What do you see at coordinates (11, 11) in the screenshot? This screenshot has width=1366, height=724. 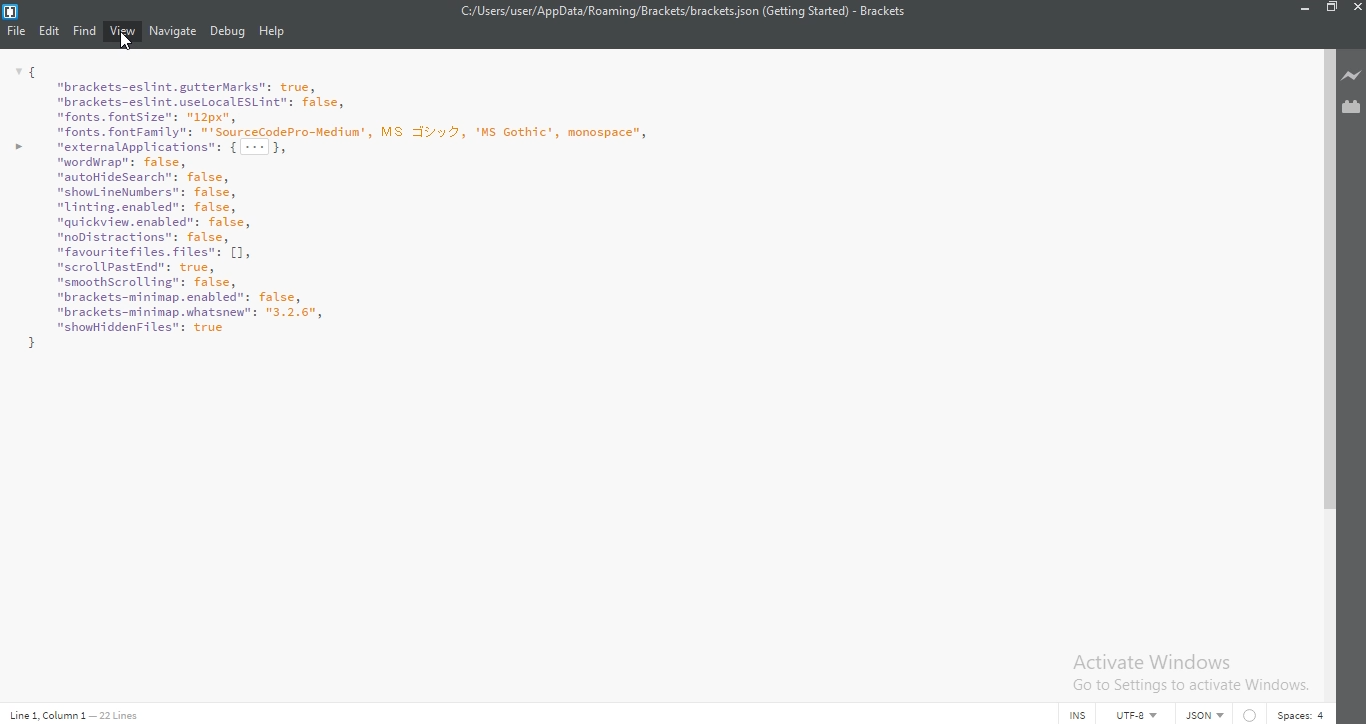 I see `Logo` at bounding box center [11, 11].